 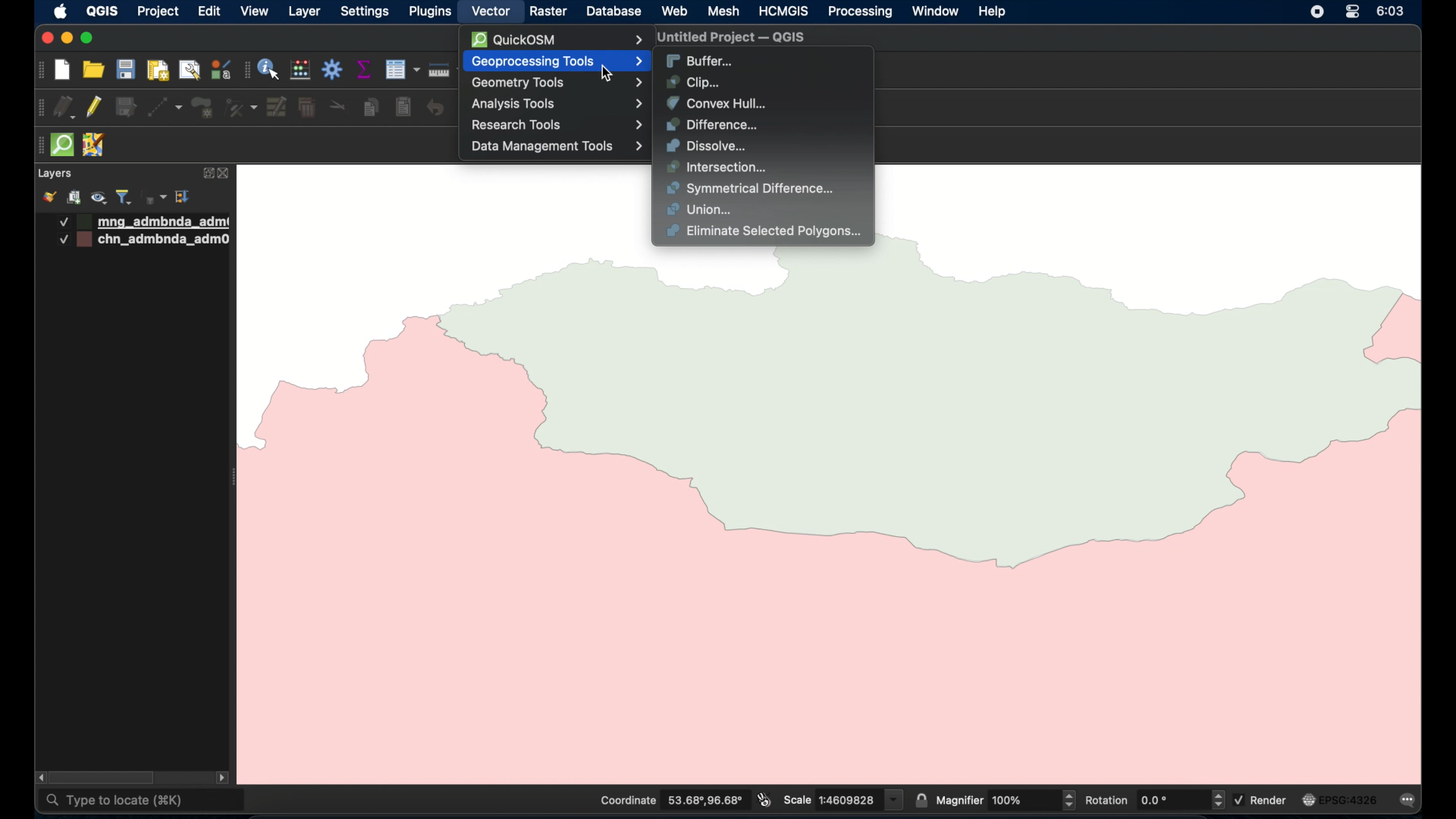 What do you see at coordinates (723, 12) in the screenshot?
I see `mesh` at bounding box center [723, 12].